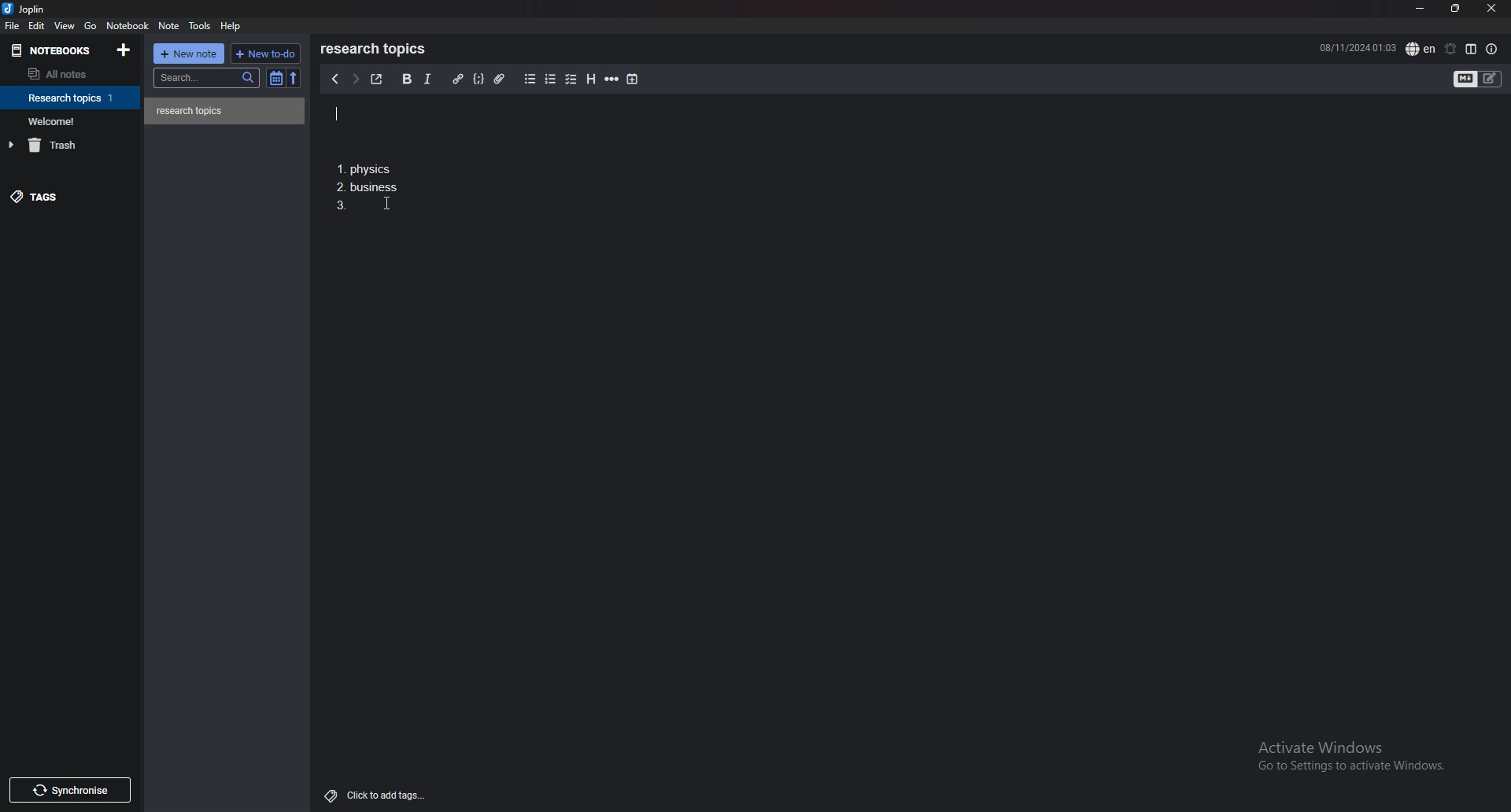 This screenshot has width=1511, height=812. I want to click on toggle editor, so click(1479, 79).